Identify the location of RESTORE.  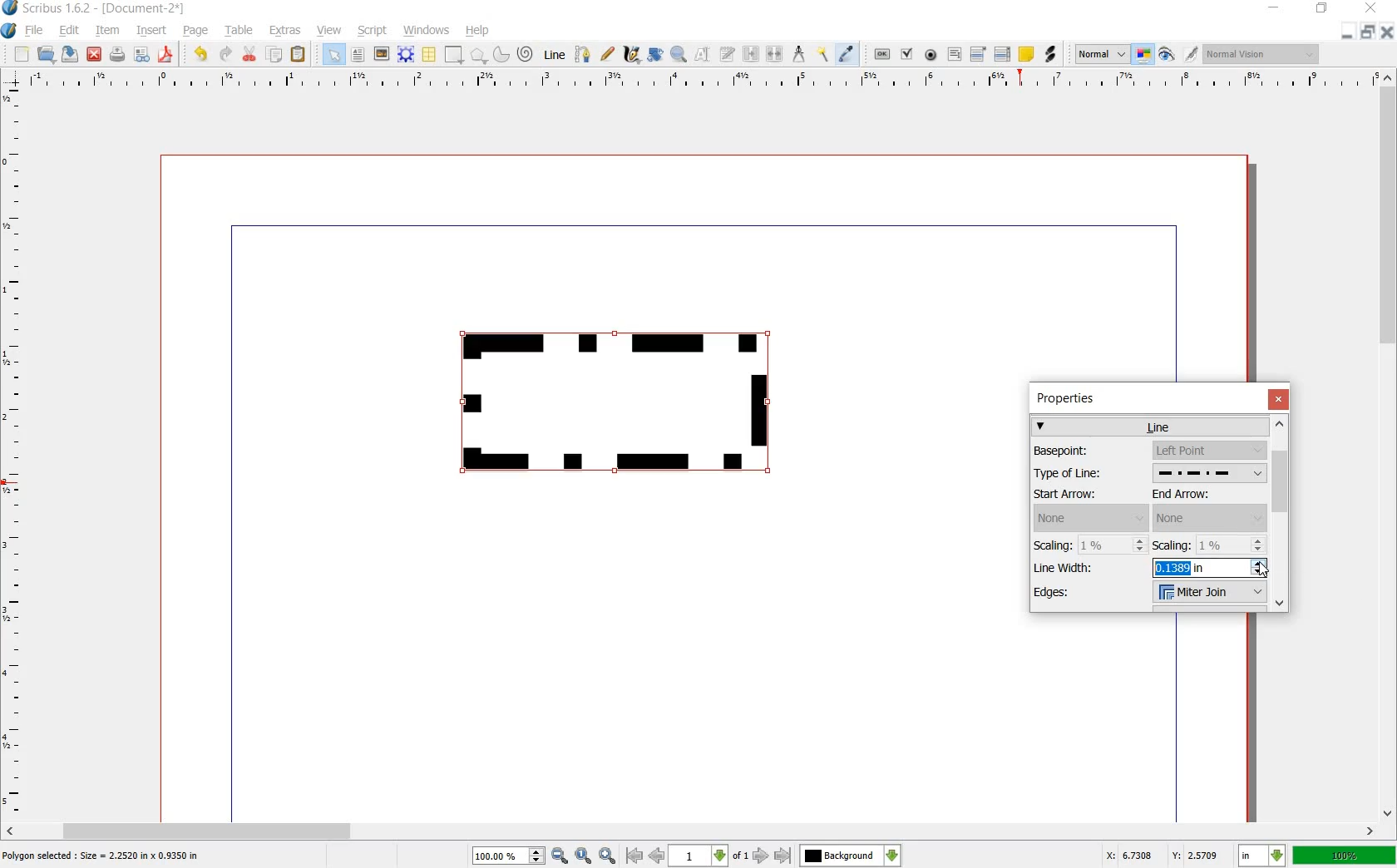
(1370, 32).